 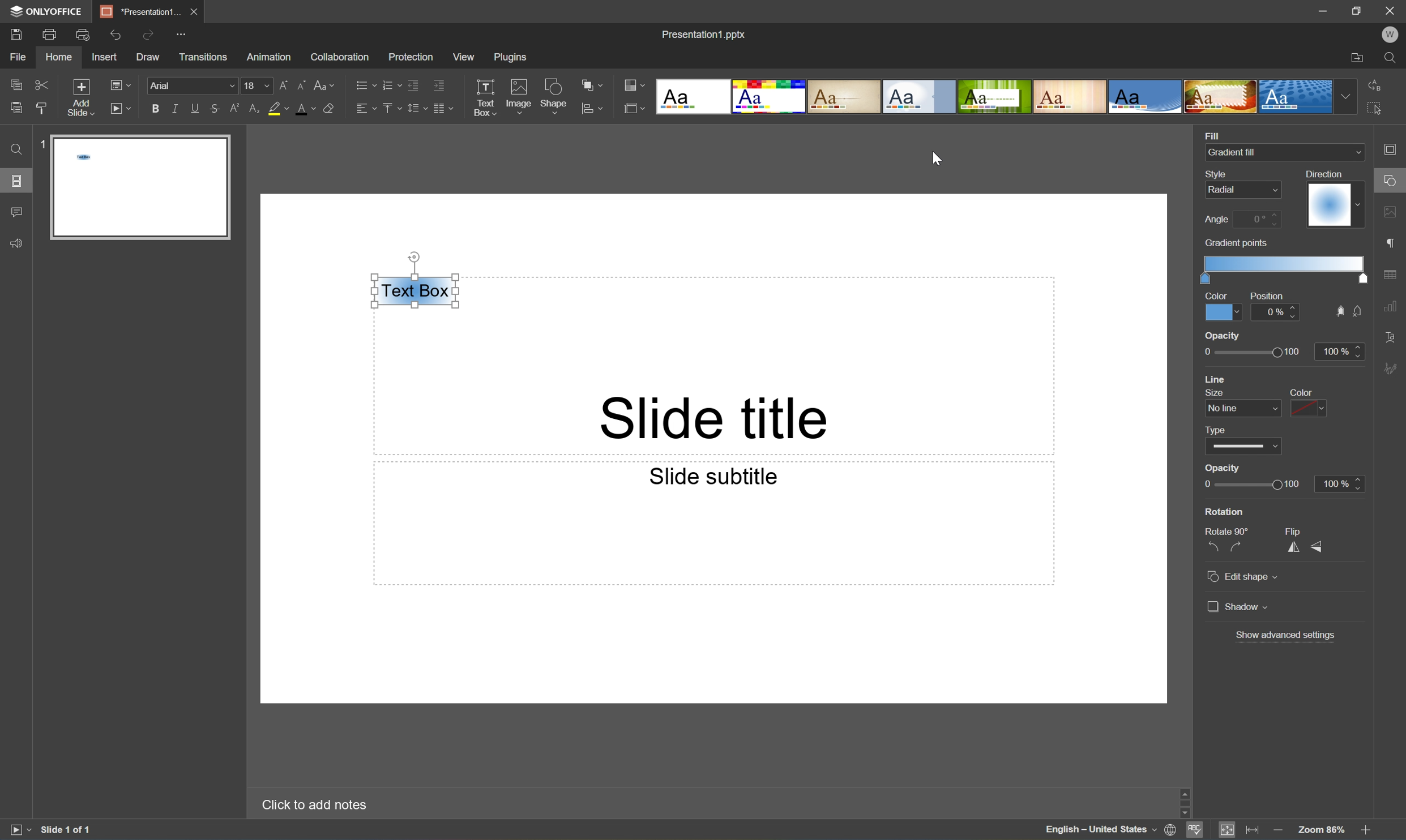 I want to click on Click to add notes, so click(x=313, y=807).